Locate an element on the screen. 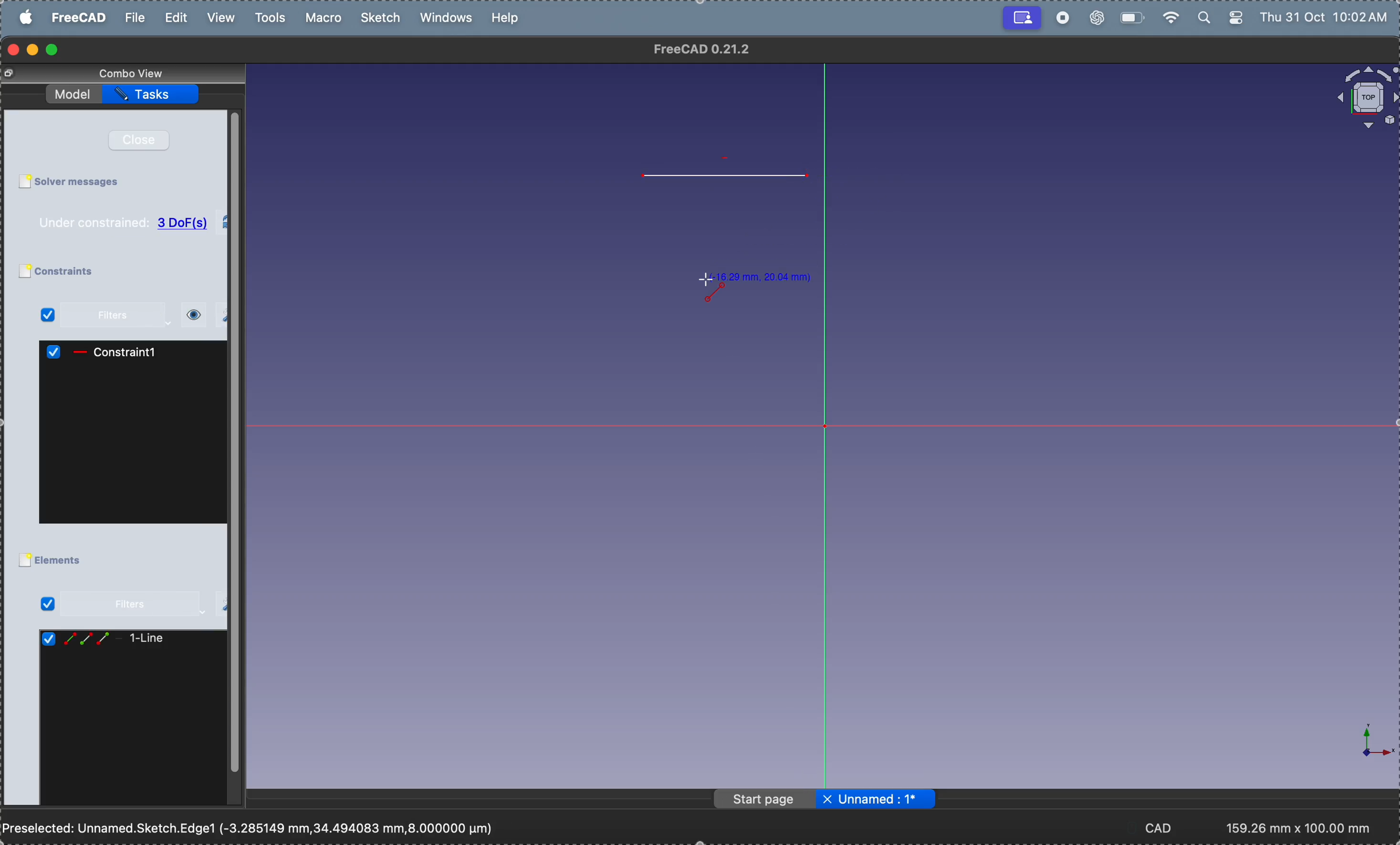  CAD is located at coordinates (1166, 827).